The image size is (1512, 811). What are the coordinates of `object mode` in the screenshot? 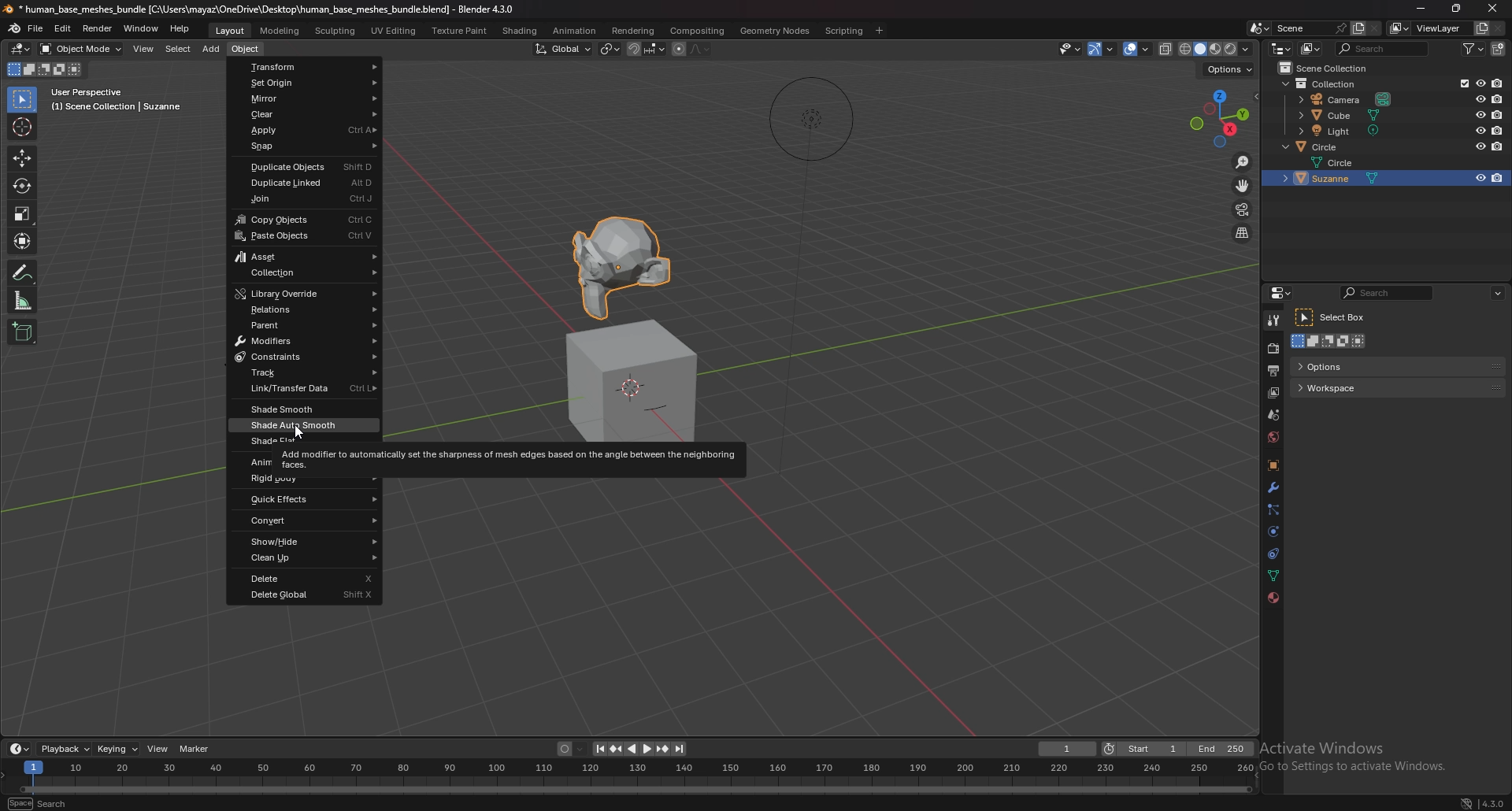 It's located at (81, 49).